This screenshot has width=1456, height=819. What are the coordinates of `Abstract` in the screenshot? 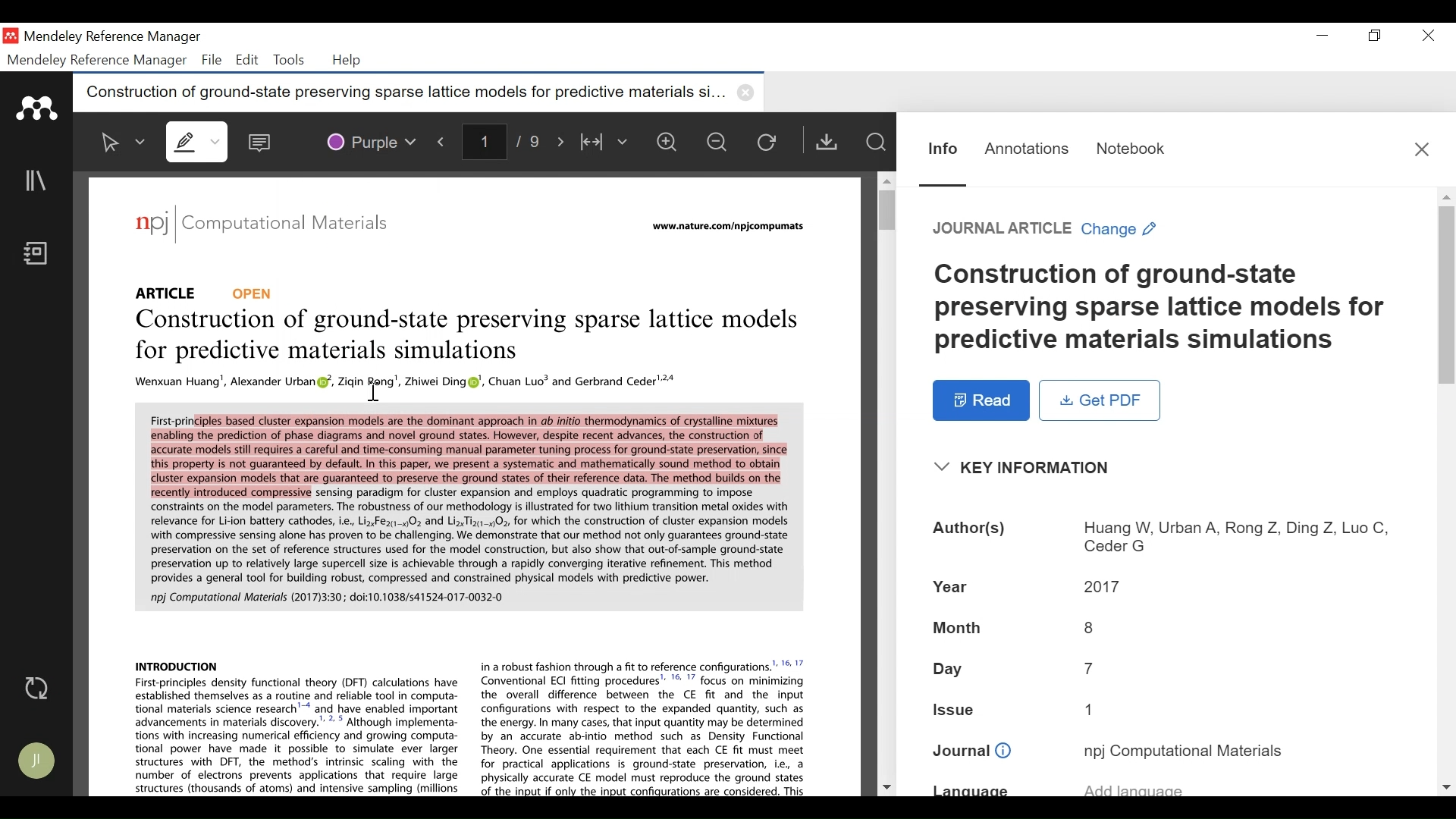 It's located at (465, 505).